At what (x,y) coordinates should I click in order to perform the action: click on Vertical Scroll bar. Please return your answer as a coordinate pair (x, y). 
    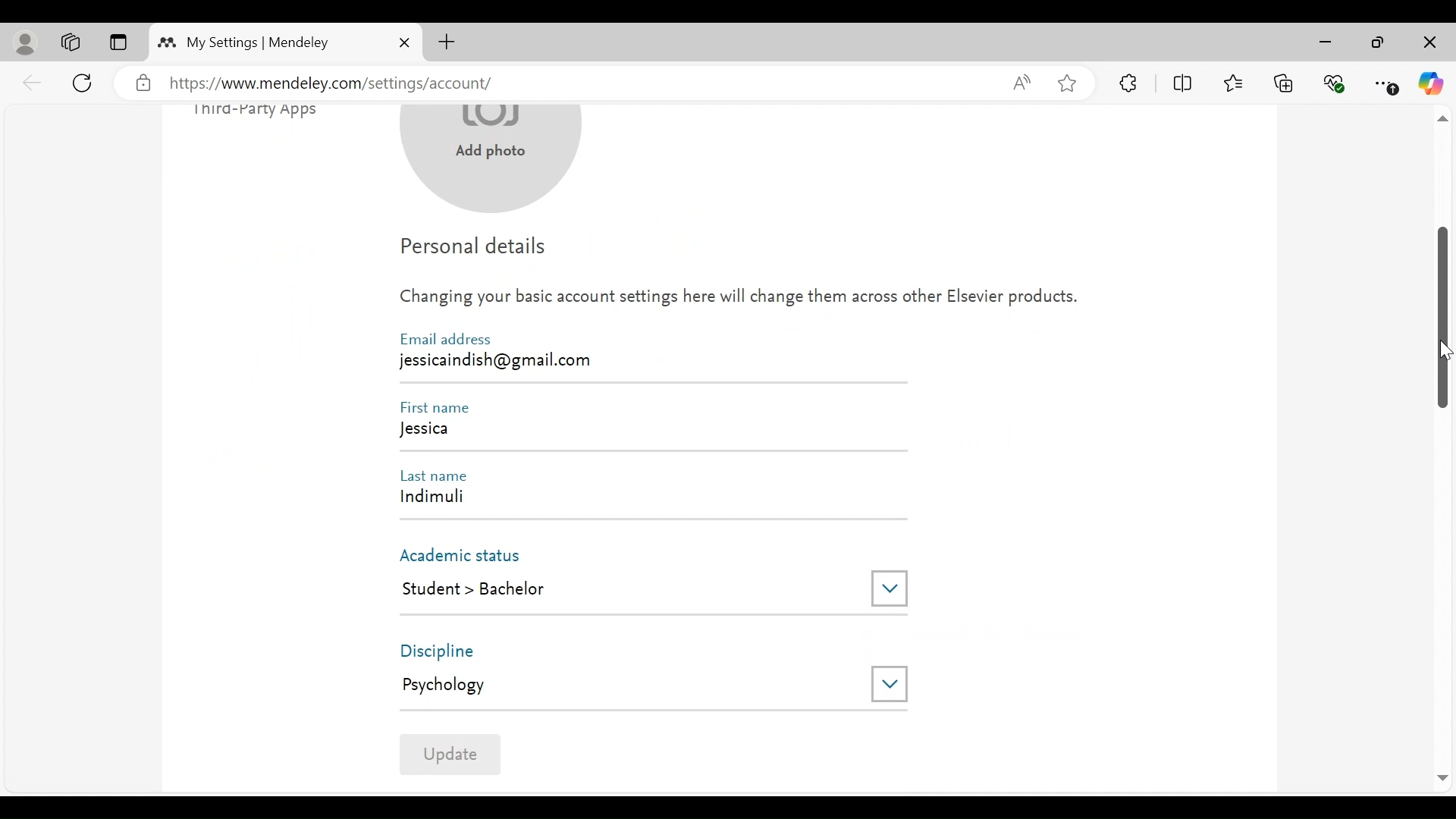
    Looking at the image, I should click on (1443, 316).